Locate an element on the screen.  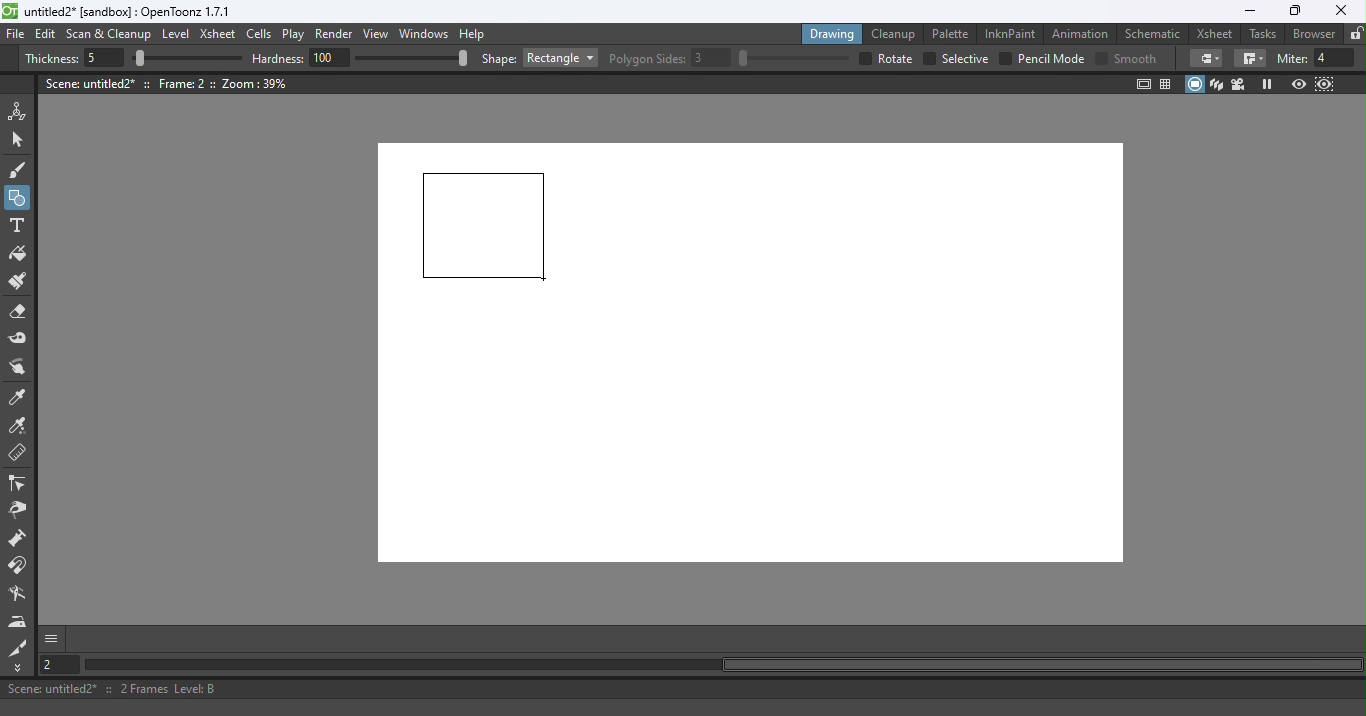
Lock rooms tab is located at coordinates (1356, 35).